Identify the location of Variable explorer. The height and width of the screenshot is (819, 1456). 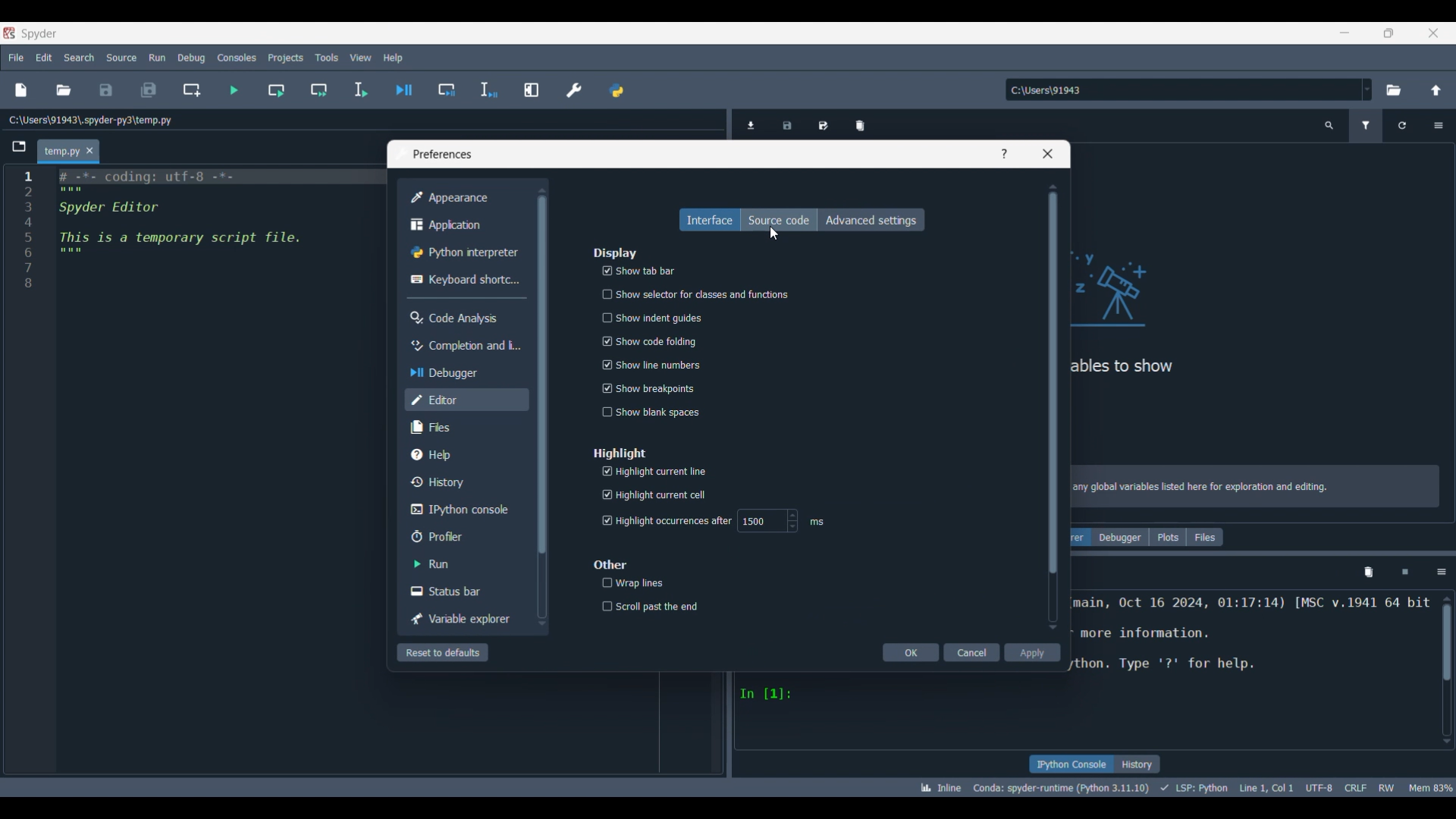
(463, 619).